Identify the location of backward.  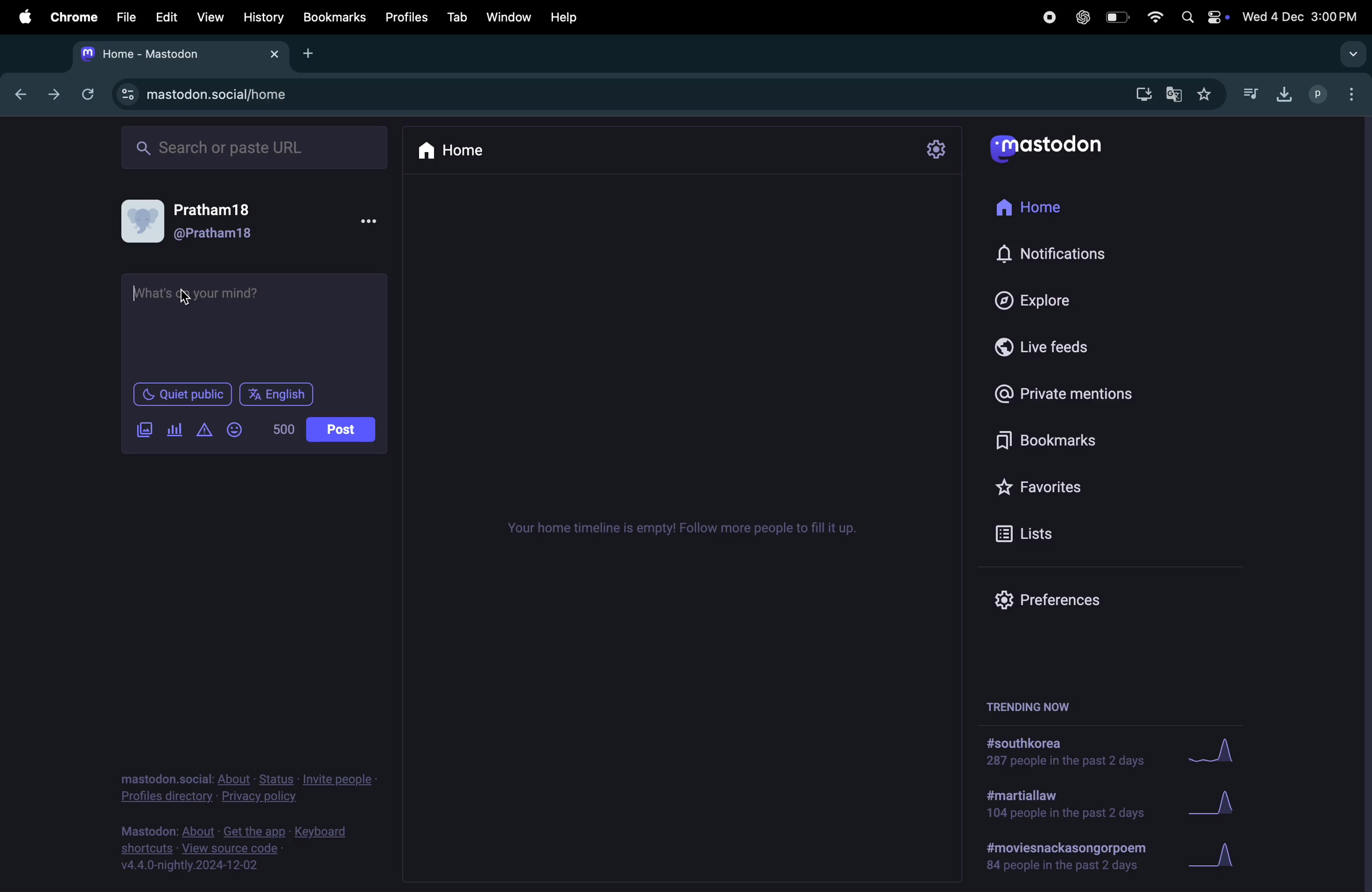
(17, 95).